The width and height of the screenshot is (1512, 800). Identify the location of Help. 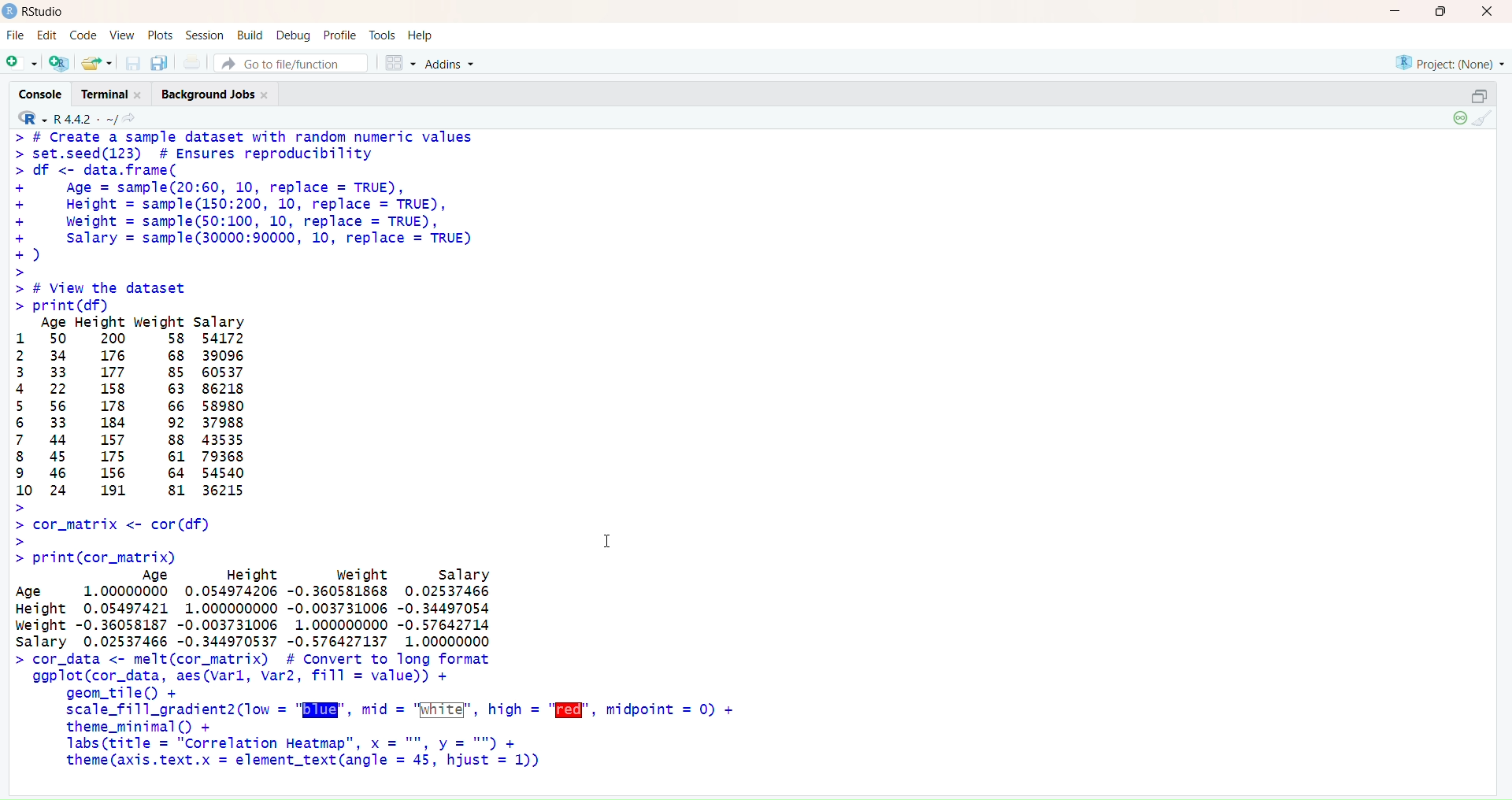
(420, 32).